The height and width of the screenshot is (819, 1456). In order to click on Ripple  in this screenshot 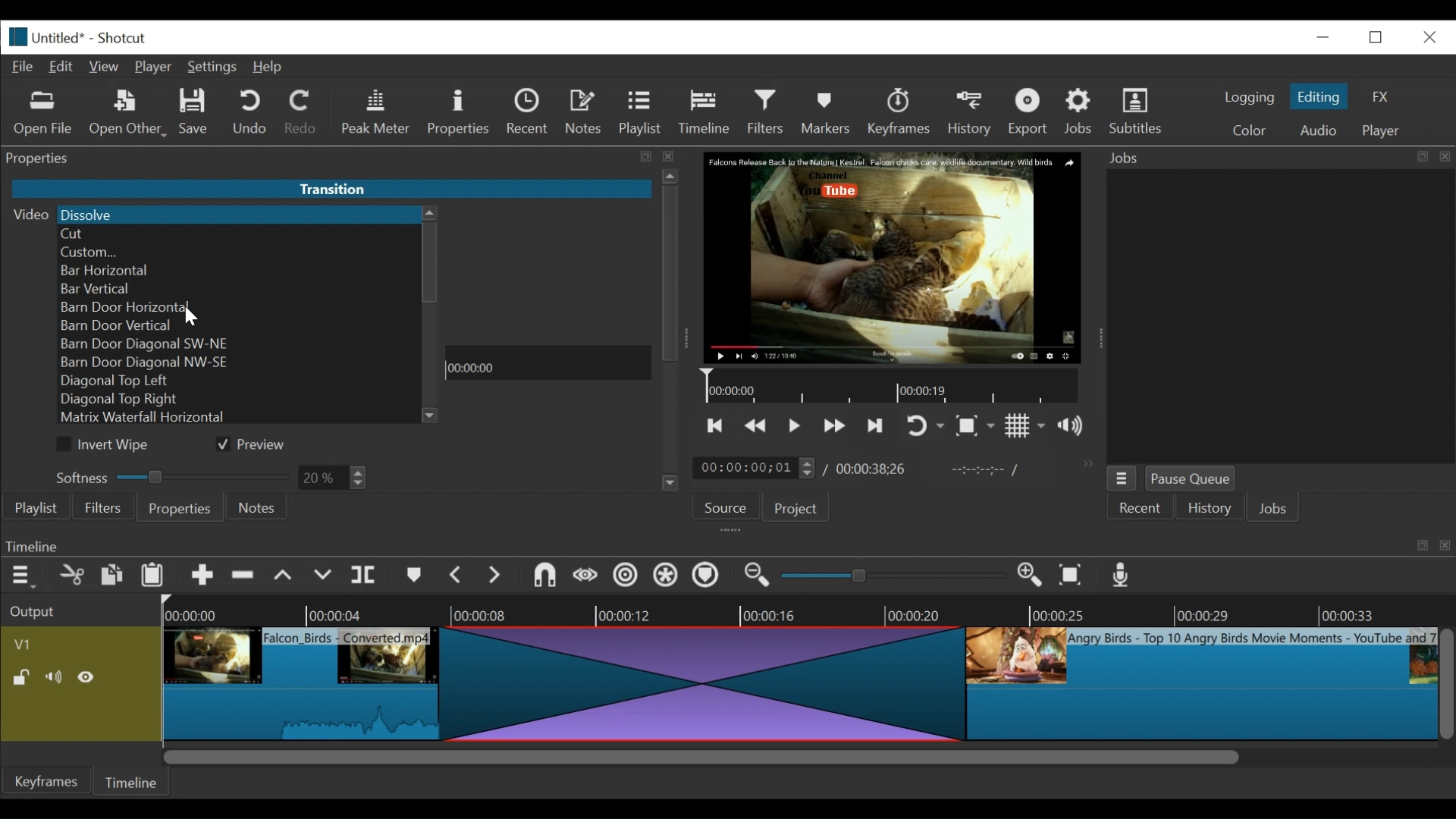, I will do `click(626, 577)`.